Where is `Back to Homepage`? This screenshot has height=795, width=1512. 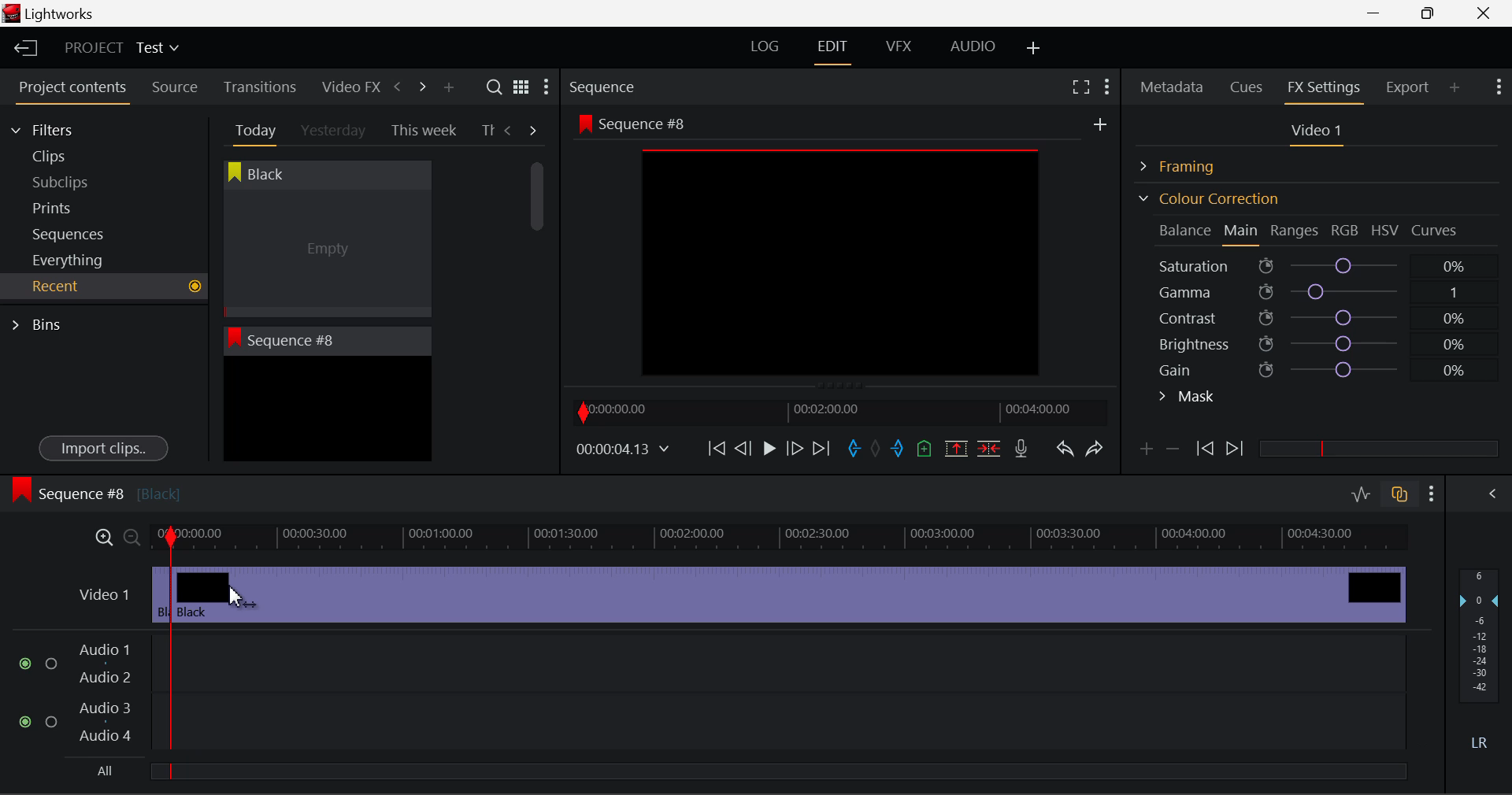
Back to Homepage is located at coordinates (20, 49).